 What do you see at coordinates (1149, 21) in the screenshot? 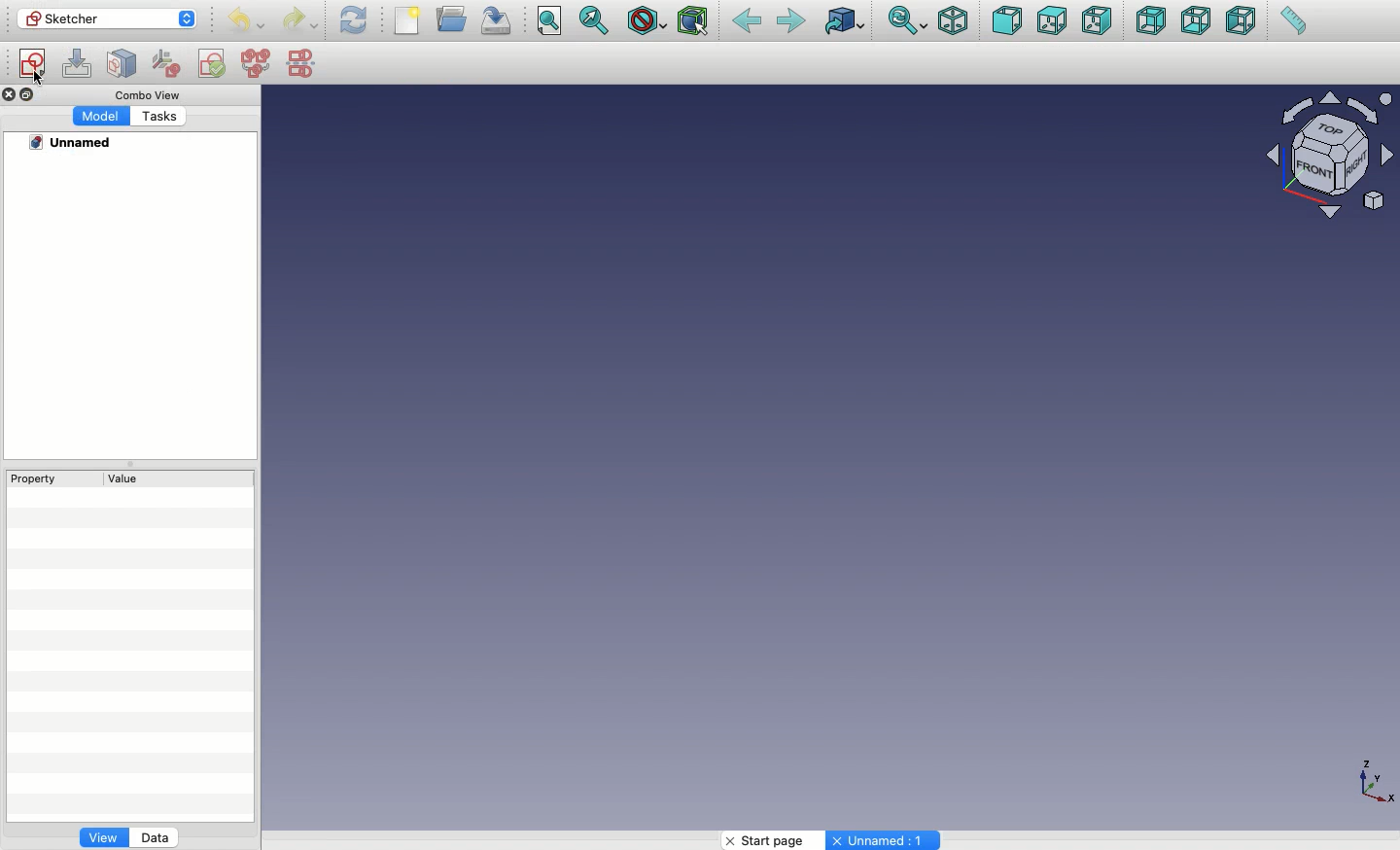
I see `Rear` at bounding box center [1149, 21].